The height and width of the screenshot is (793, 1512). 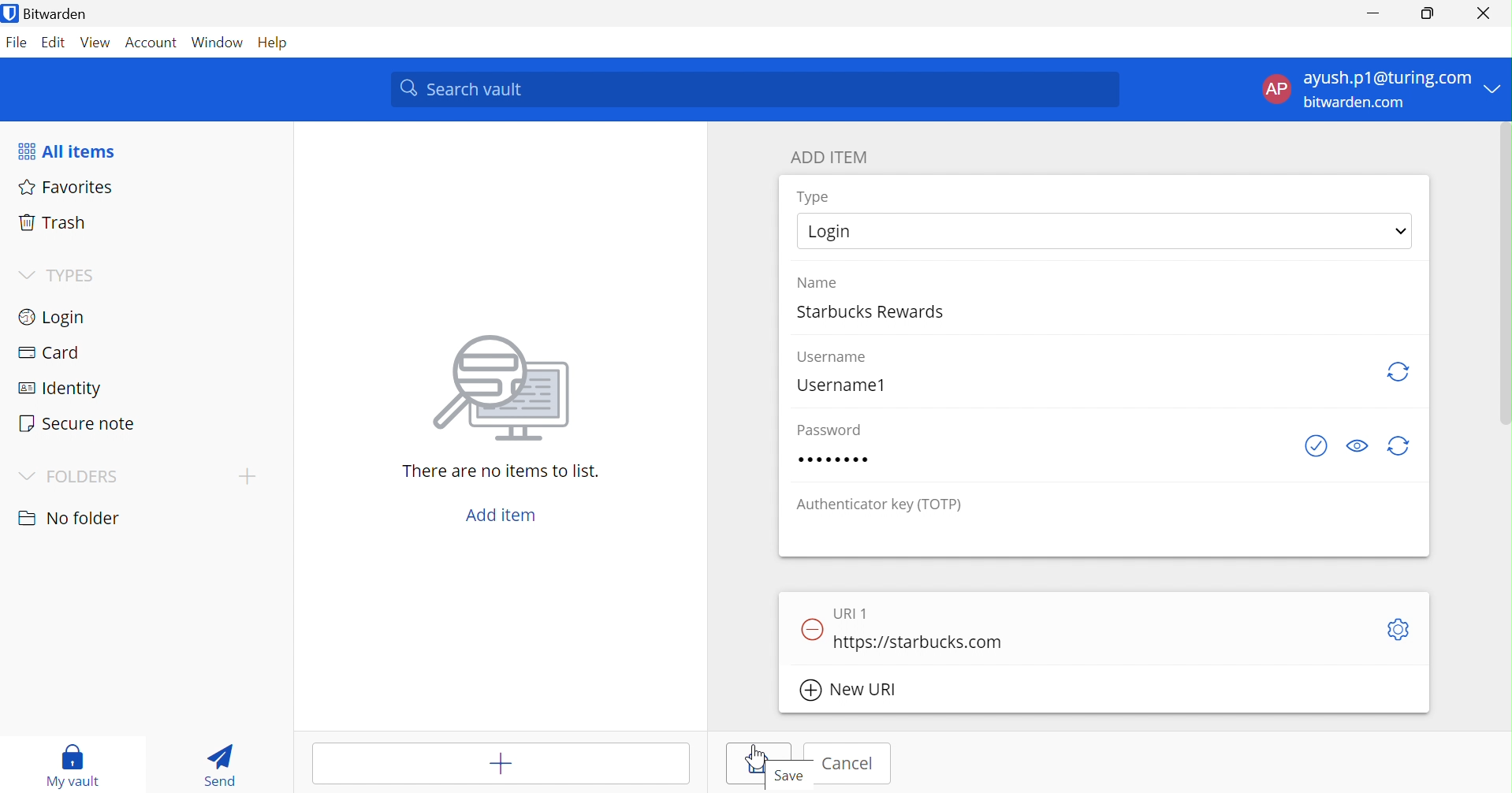 What do you see at coordinates (48, 13) in the screenshot?
I see `Bitwarden` at bounding box center [48, 13].